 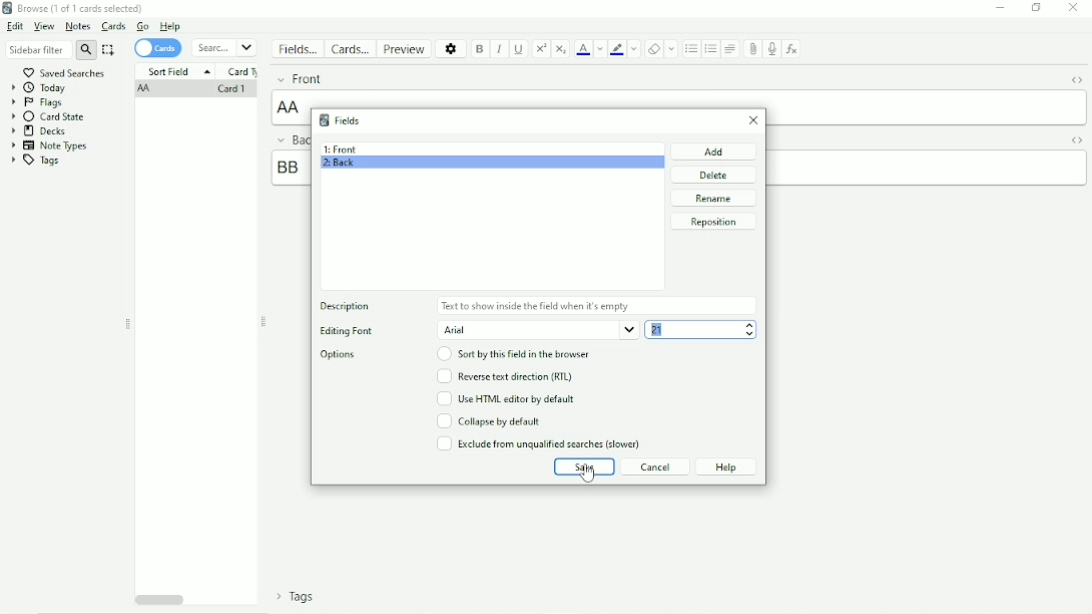 I want to click on Ordered list, so click(x=710, y=50).